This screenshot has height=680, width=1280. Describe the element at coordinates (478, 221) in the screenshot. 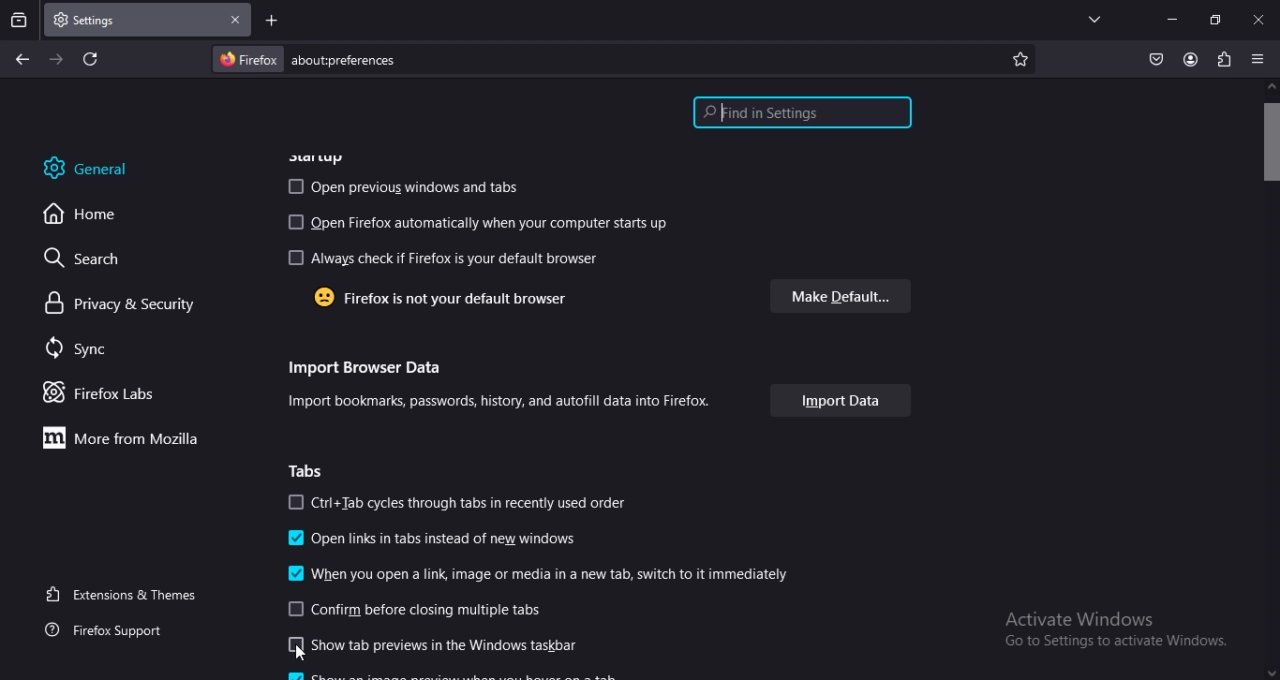

I see `open firefox automtically when computer startup` at that location.